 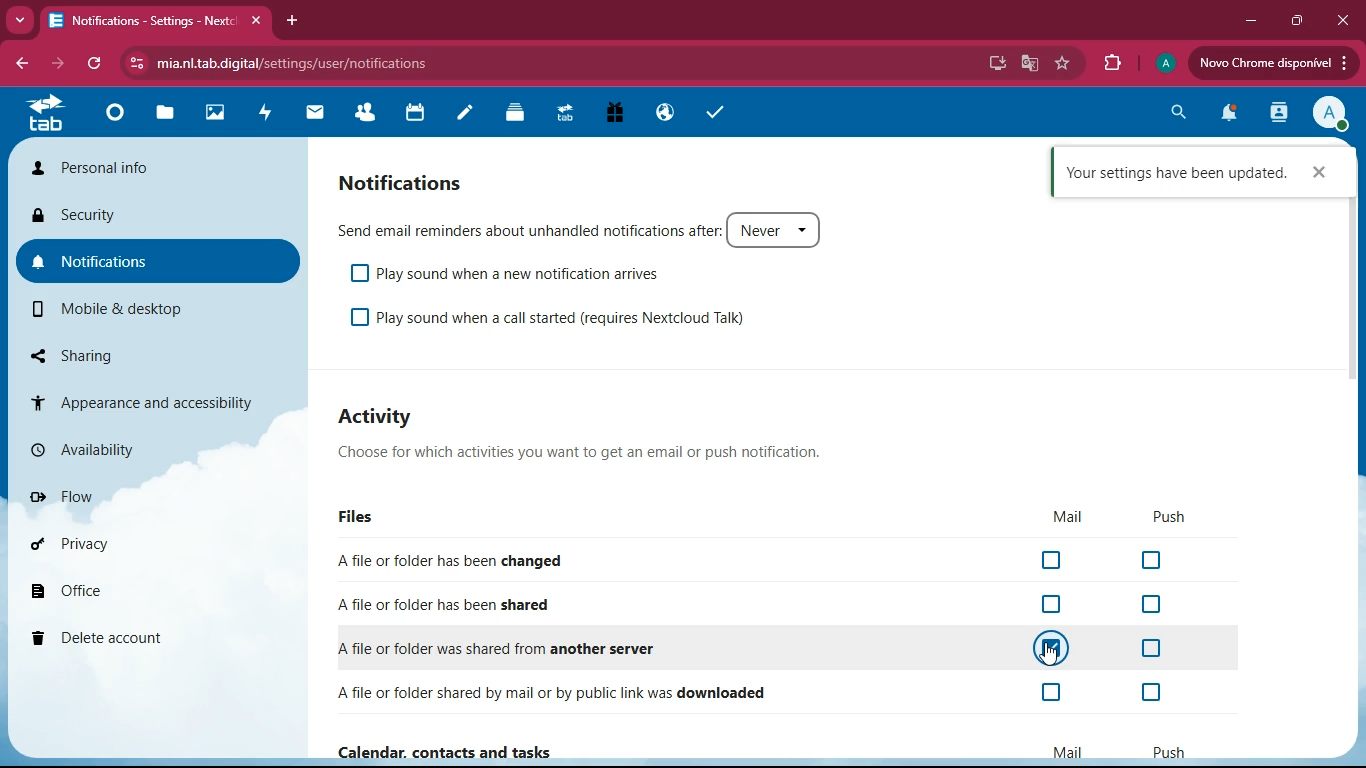 I want to click on activity, so click(x=261, y=114).